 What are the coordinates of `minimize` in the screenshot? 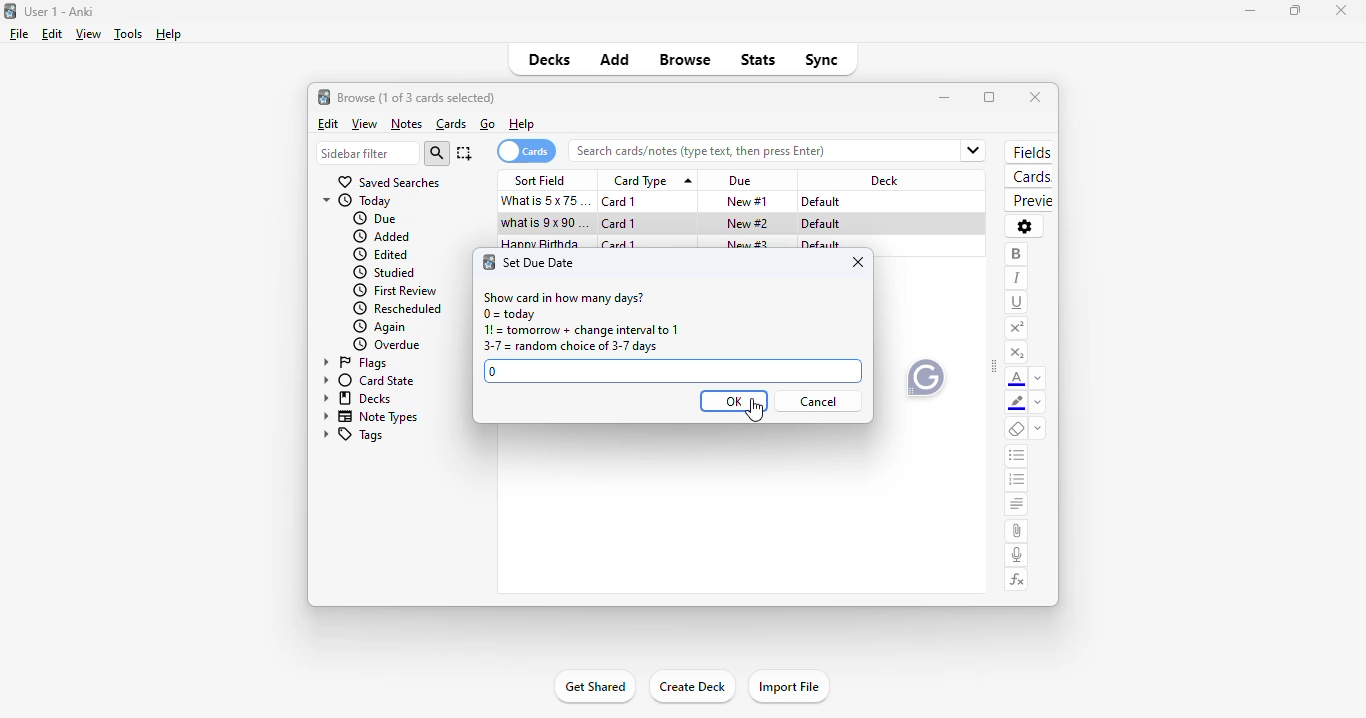 It's located at (1250, 11).